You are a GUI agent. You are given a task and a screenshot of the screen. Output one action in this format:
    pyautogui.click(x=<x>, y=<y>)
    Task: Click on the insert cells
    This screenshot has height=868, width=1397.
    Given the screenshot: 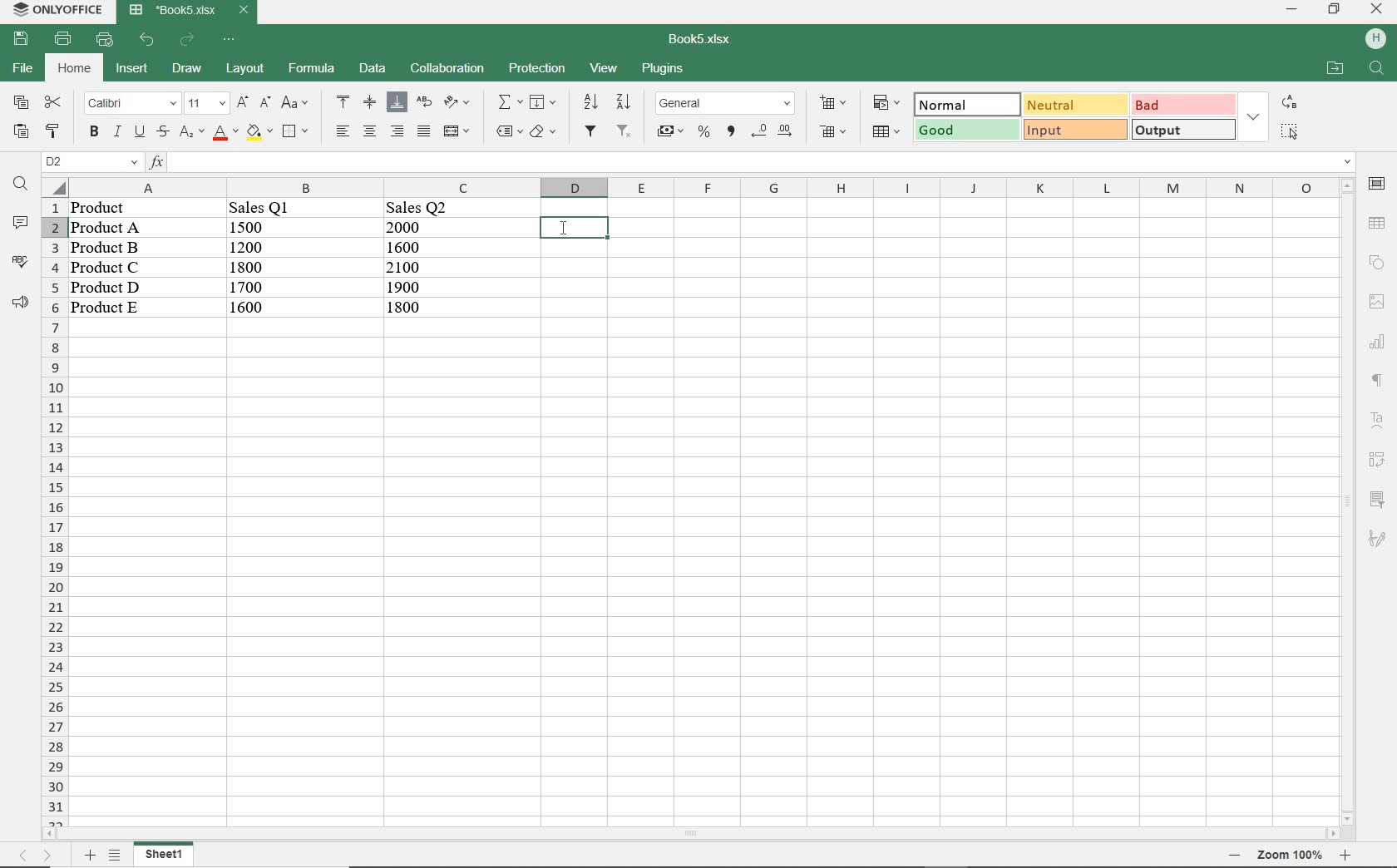 What is the action you would take?
    pyautogui.click(x=831, y=104)
    